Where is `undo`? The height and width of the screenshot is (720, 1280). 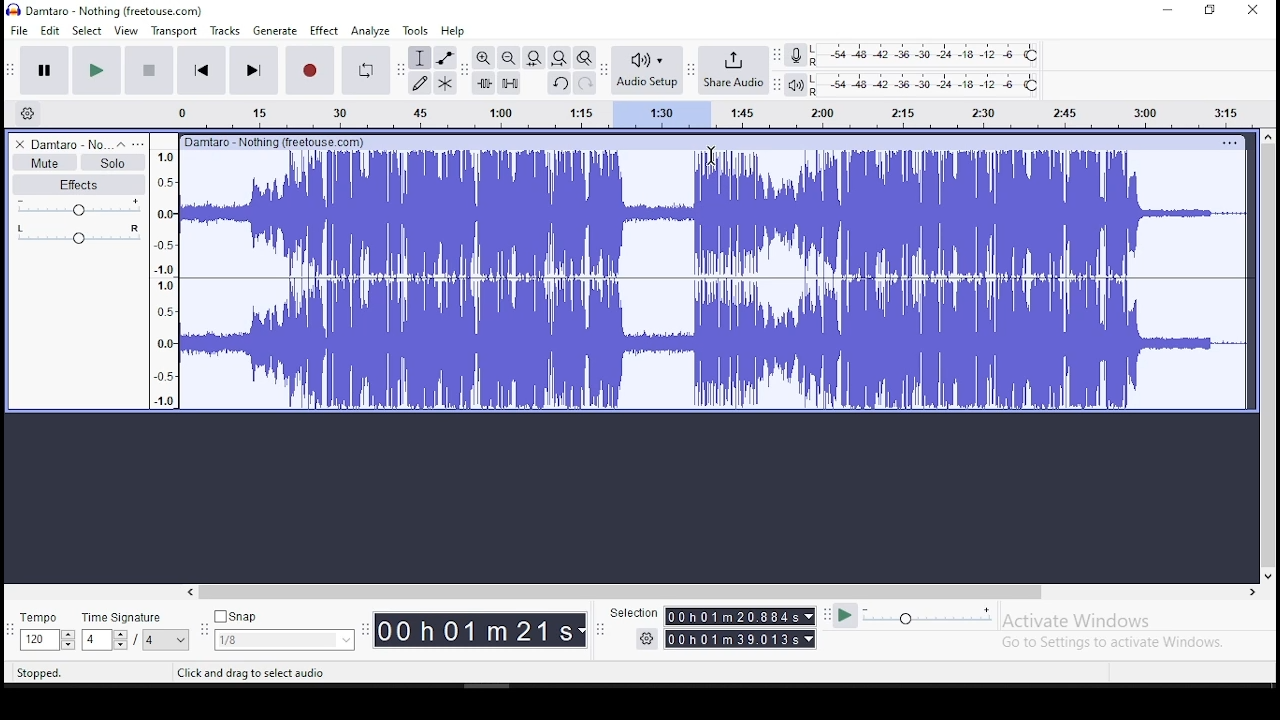
undo is located at coordinates (559, 83).